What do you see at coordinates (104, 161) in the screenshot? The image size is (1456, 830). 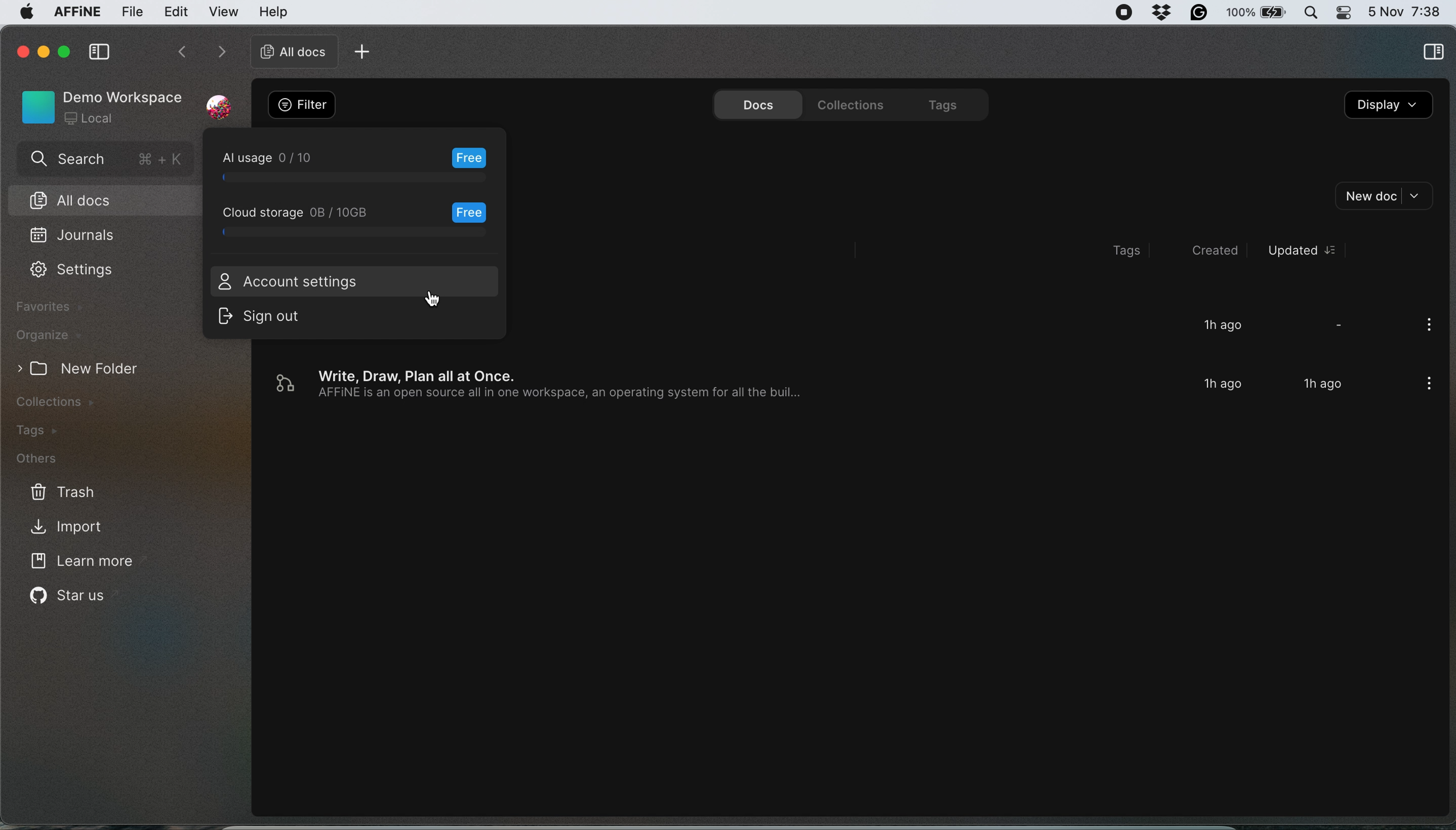 I see `search` at bounding box center [104, 161].